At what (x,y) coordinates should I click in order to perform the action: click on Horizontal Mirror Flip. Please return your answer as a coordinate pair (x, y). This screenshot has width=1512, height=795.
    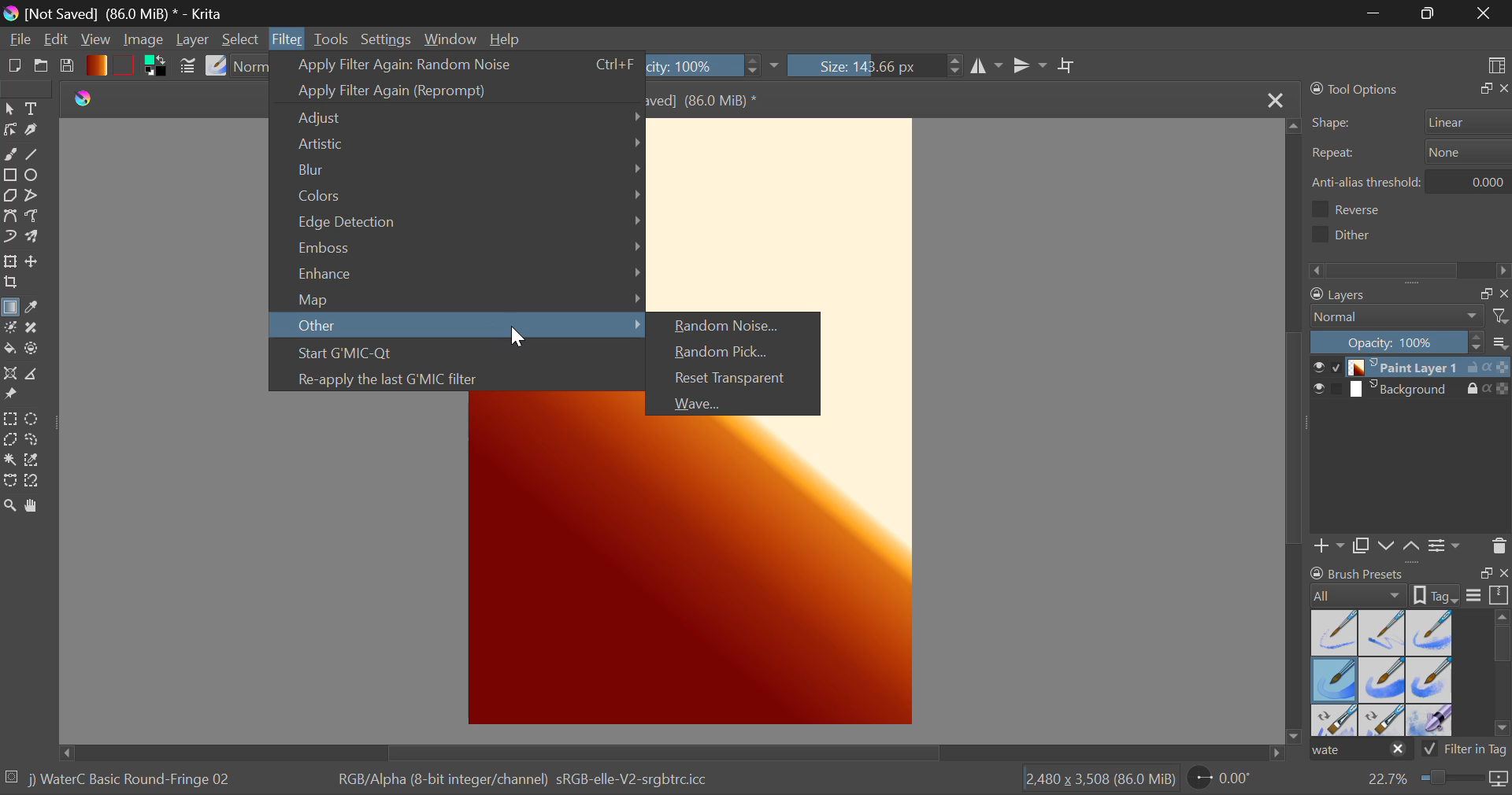
    Looking at the image, I should click on (1032, 67).